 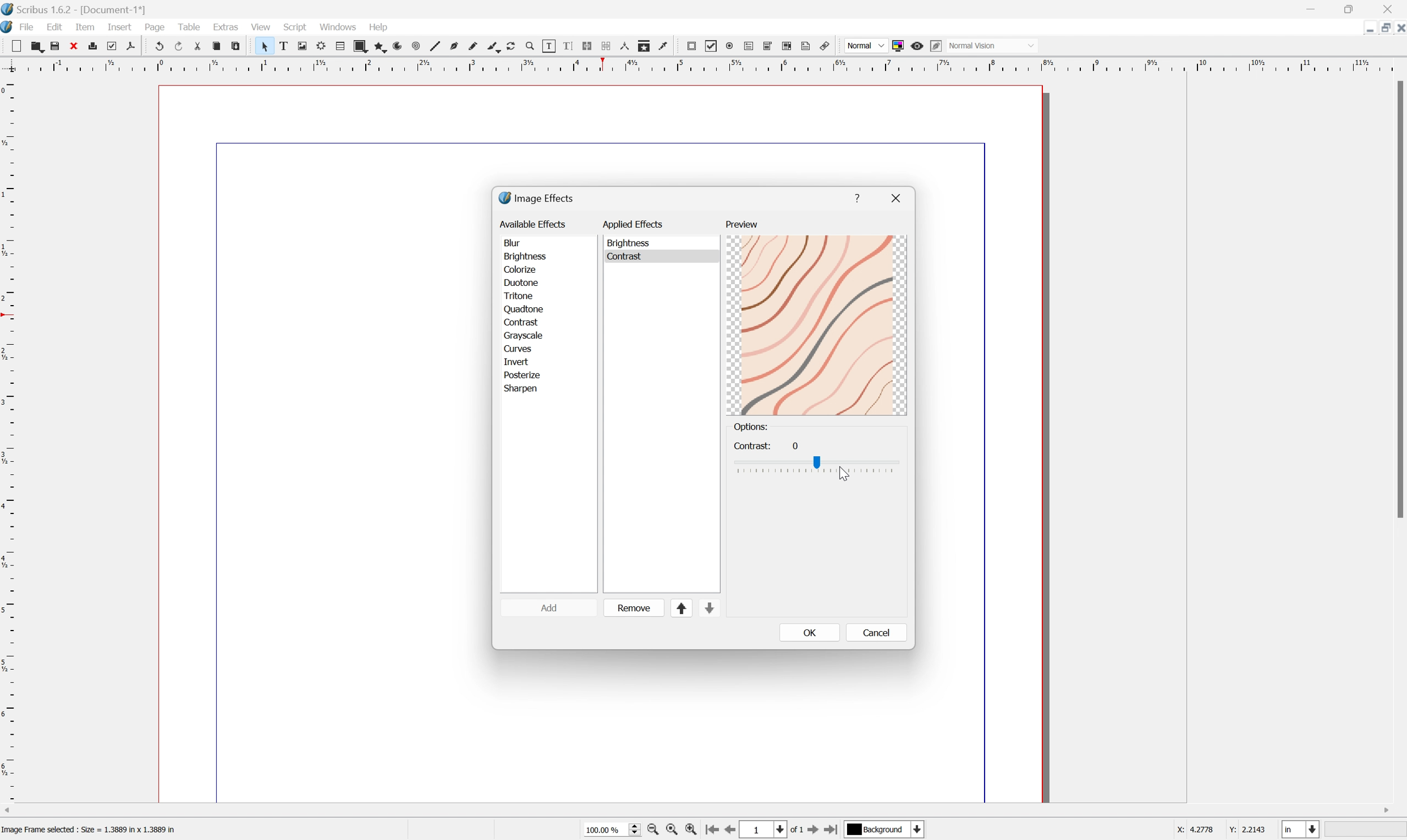 I want to click on sharpen, so click(x=524, y=391).